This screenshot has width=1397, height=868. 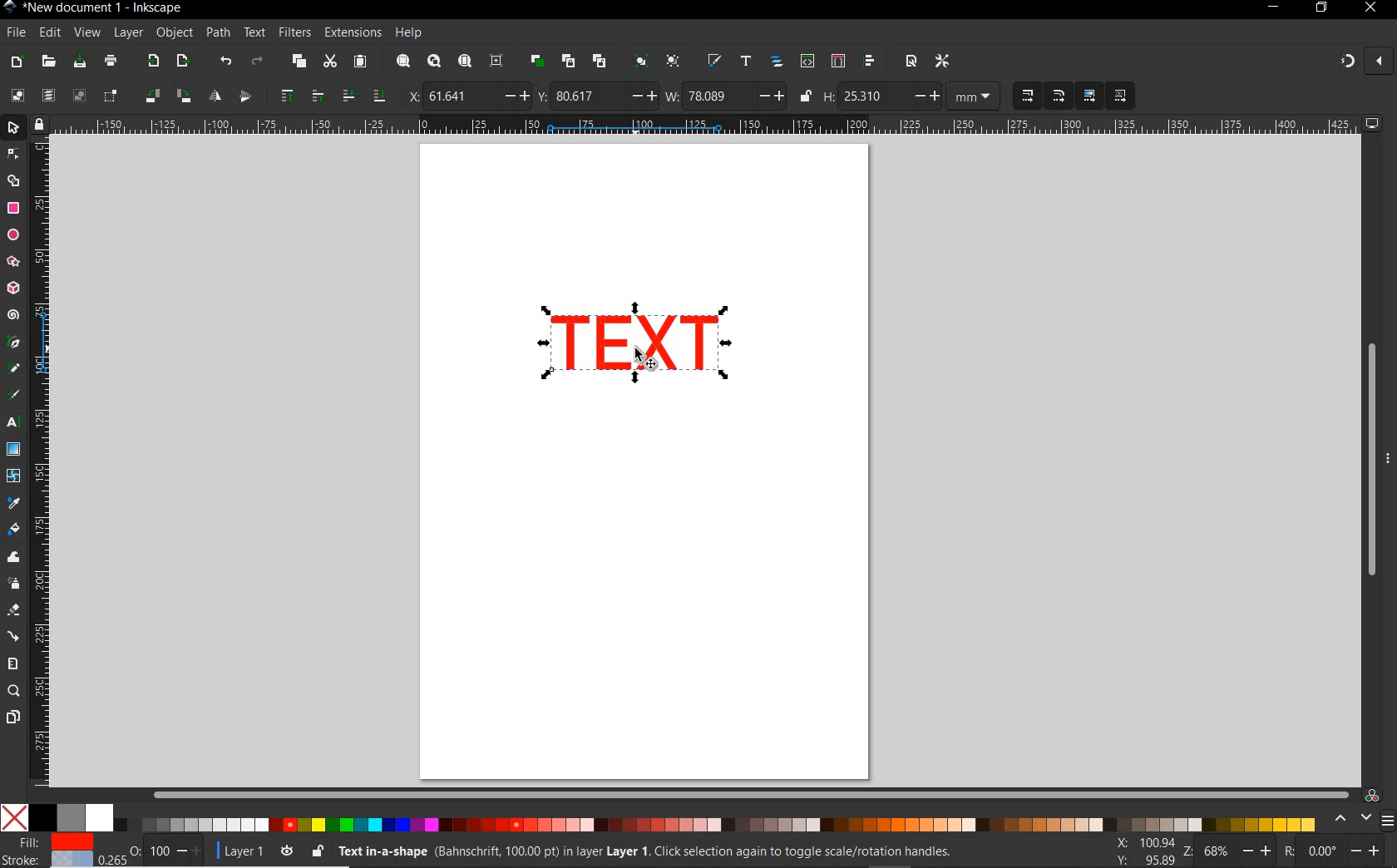 What do you see at coordinates (93, 7) in the screenshot?
I see `file name` at bounding box center [93, 7].